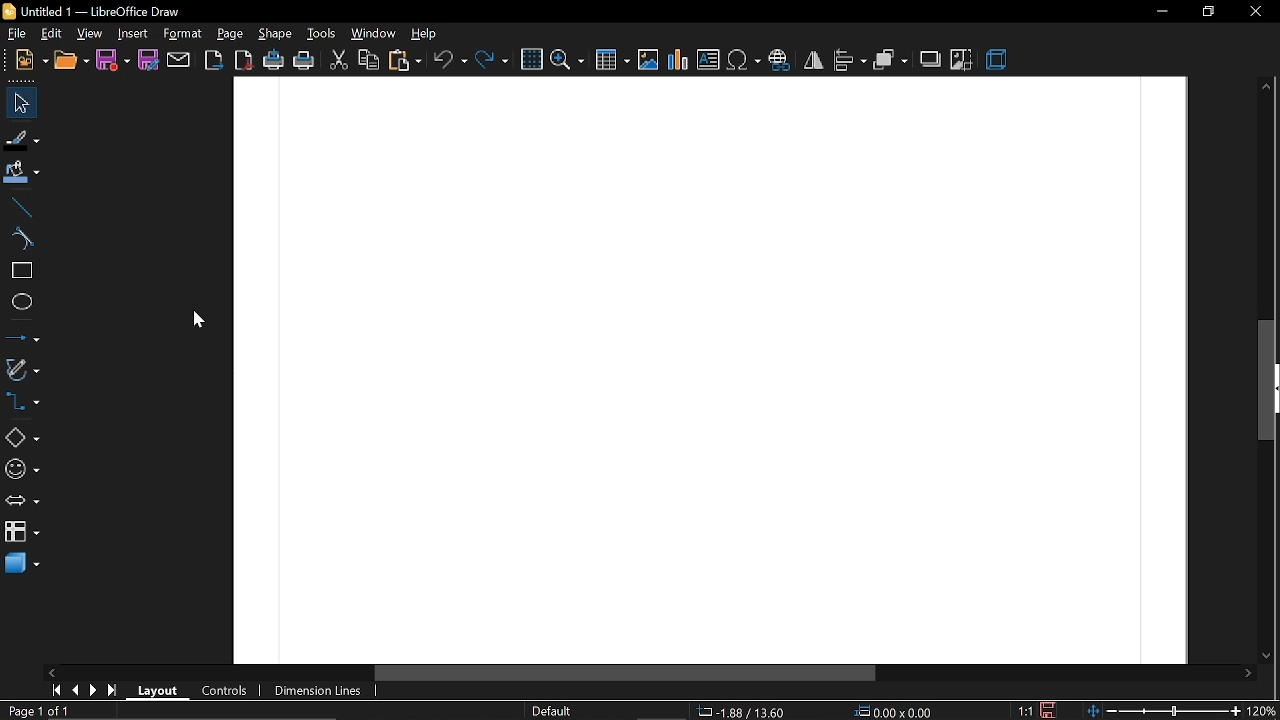 This screenshot has height=720, width=1280. Describe the element at coordinates (555, 711) in the screenshot. I see `Default` at that location.